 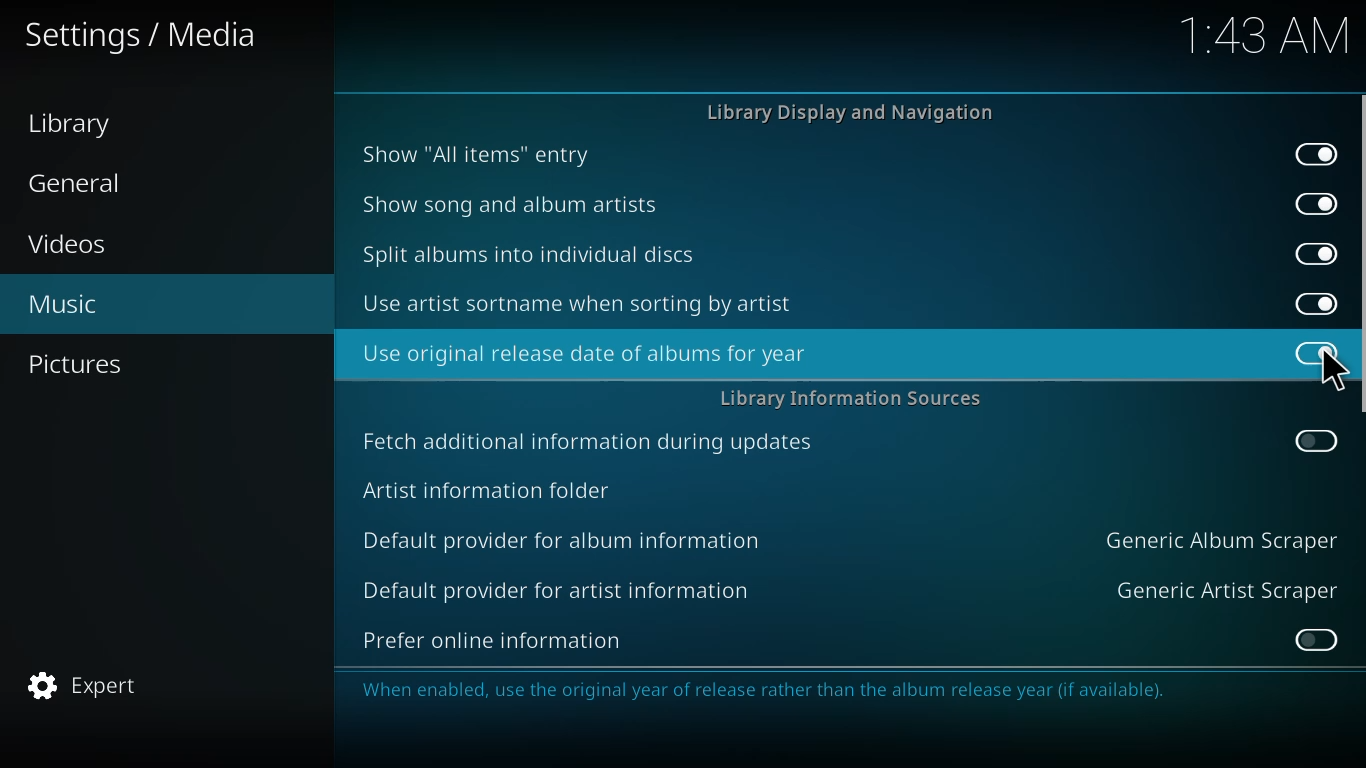 What do you see at coordinates (583, 353) in the screenshot?
I see `use original release date of album` at bounding box center [583, 353].